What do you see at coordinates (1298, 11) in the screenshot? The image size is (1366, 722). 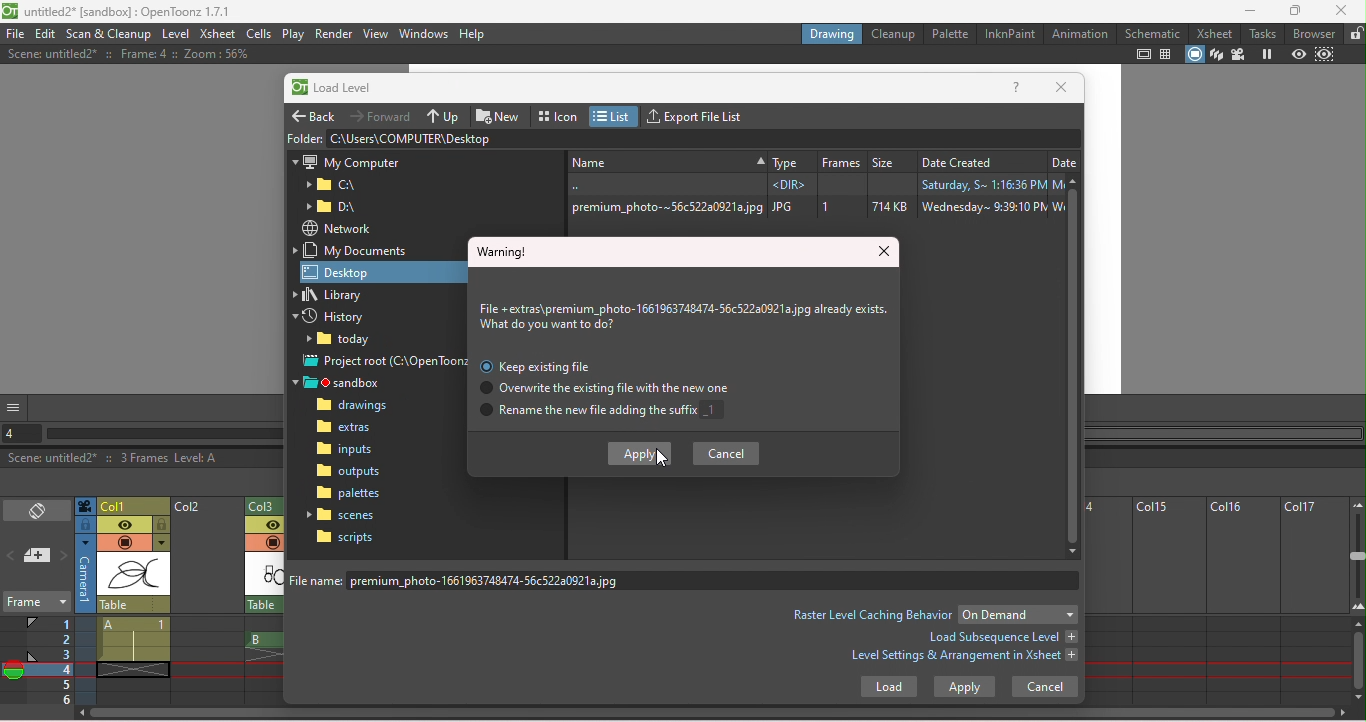 I see `Maximize` at bounding box center [1298, 11].